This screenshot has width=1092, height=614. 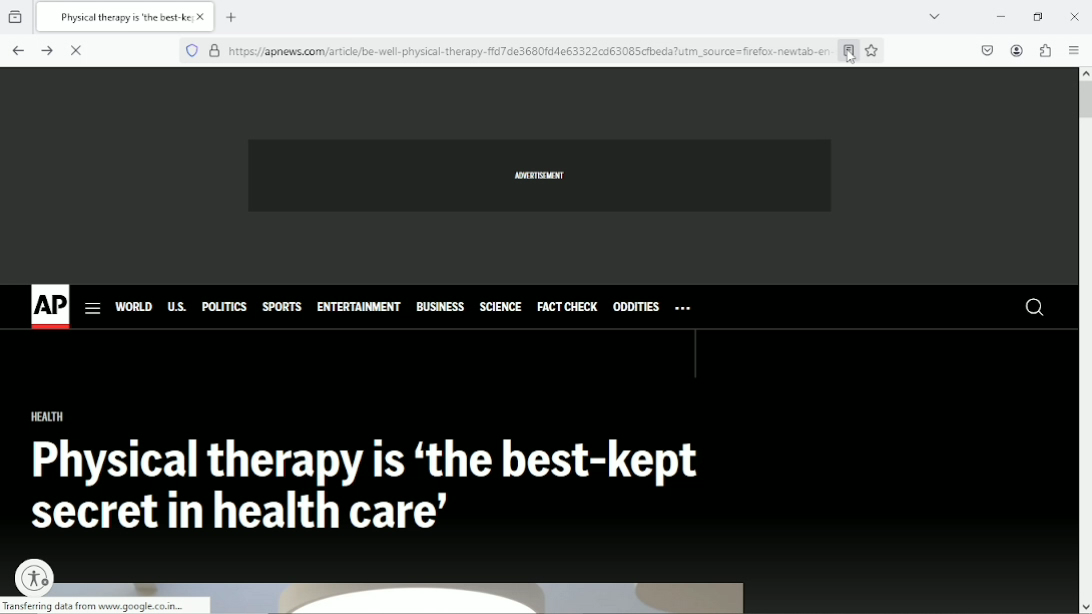 What do you see at coordinates (1045, 50) in the screenshot?
I see `extensions` at bounding box center [1045, 50].